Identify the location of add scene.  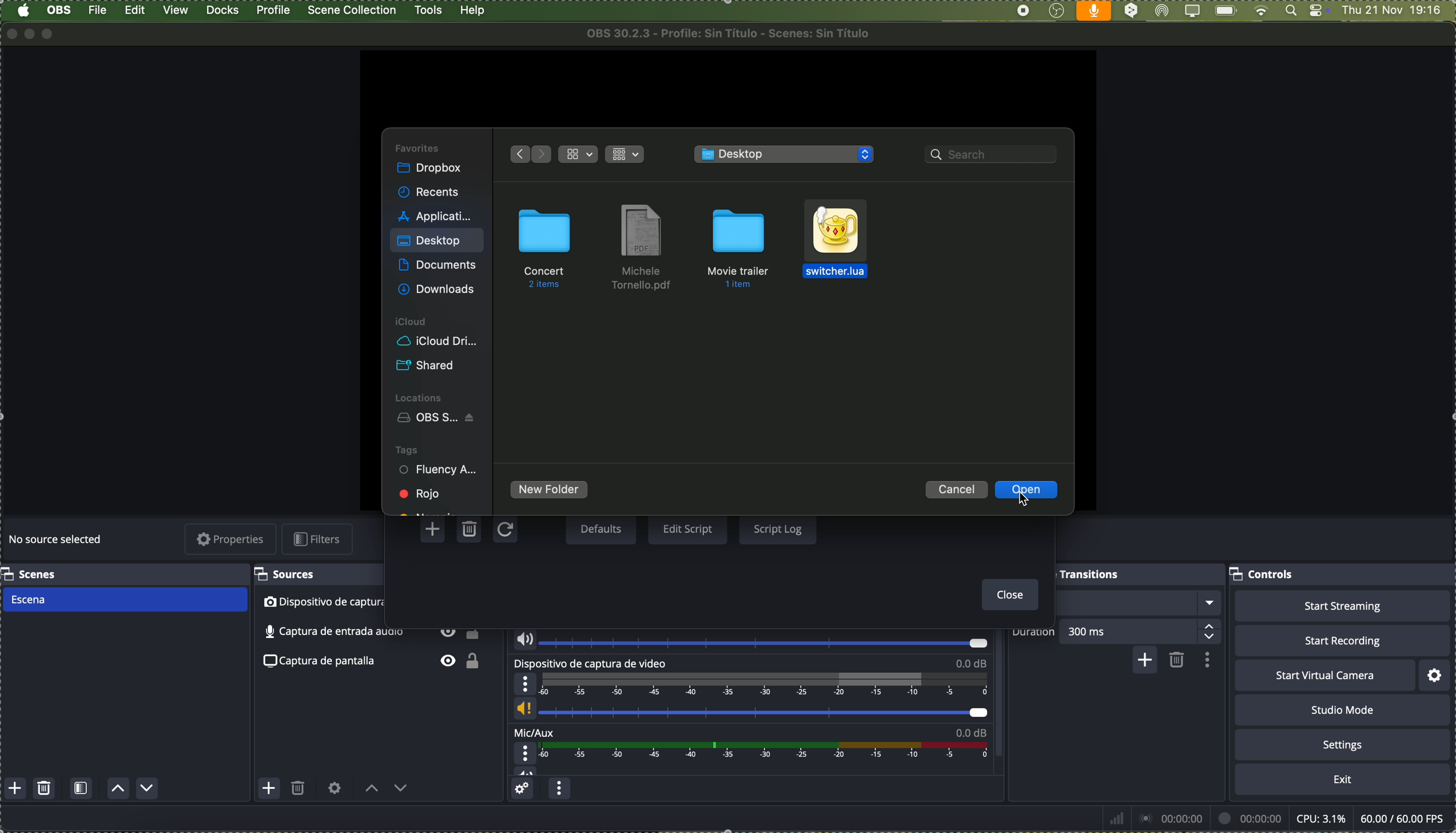
(15, 789).